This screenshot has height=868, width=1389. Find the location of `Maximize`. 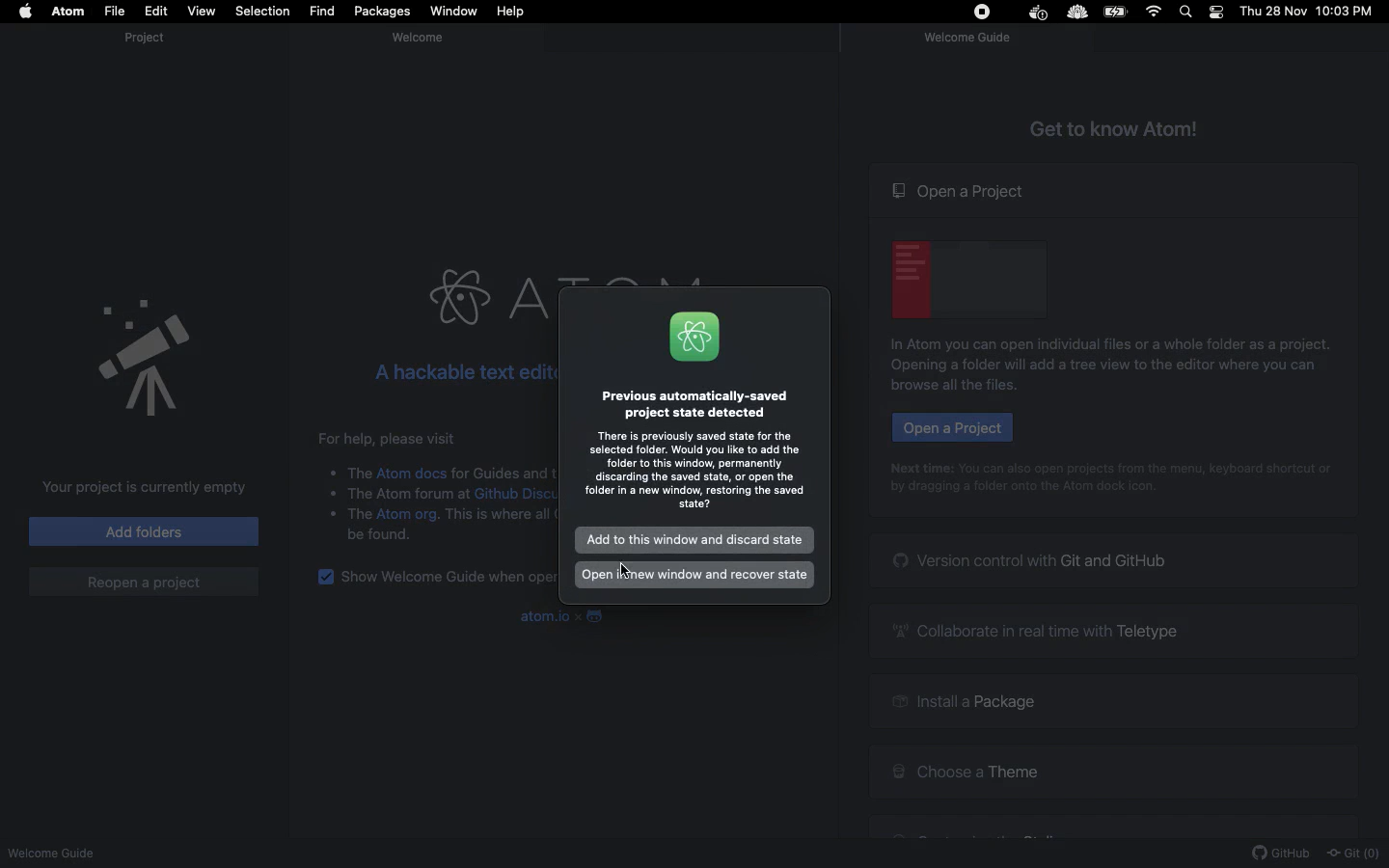

Maximize is located at coordinates (55, 37).